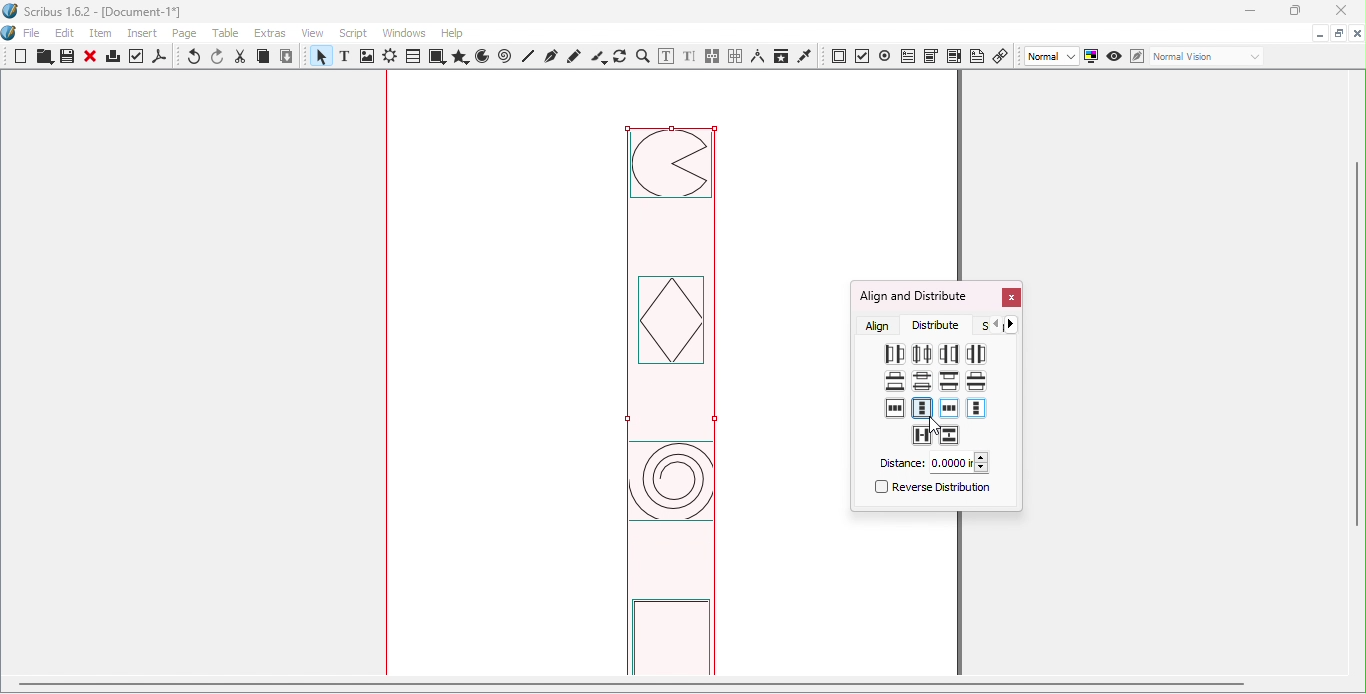 Image resolution: width=1366 pixels, height=694 pixels. Describe the element at coordinates (977, 353) in the screenshot. I see `Make horizontal gaps between items equal` at that location.